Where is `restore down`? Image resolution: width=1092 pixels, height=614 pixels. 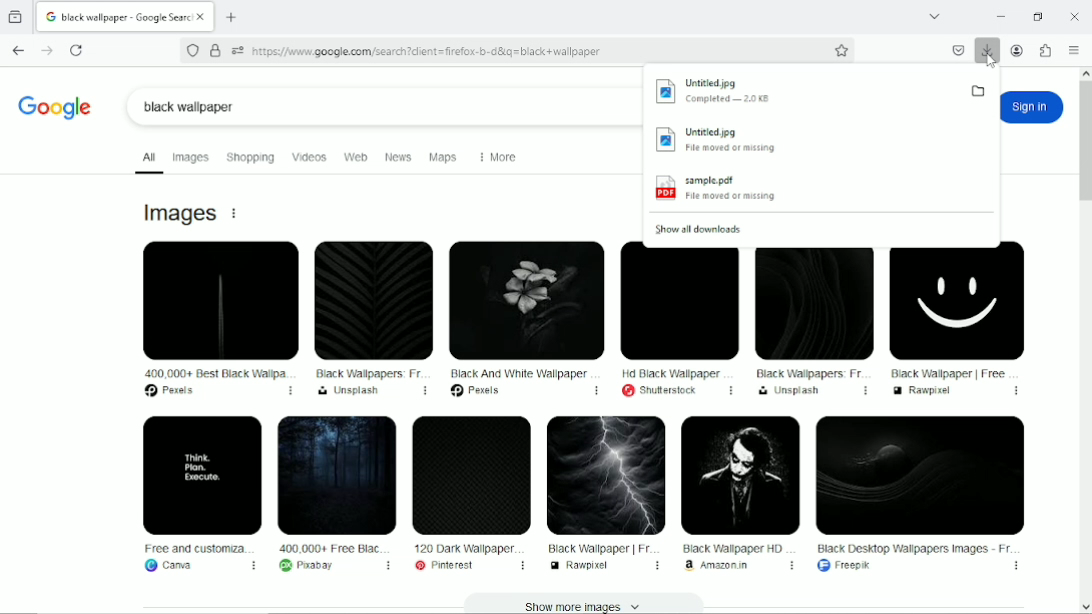 restore down is located at coordinates (1039, 17).